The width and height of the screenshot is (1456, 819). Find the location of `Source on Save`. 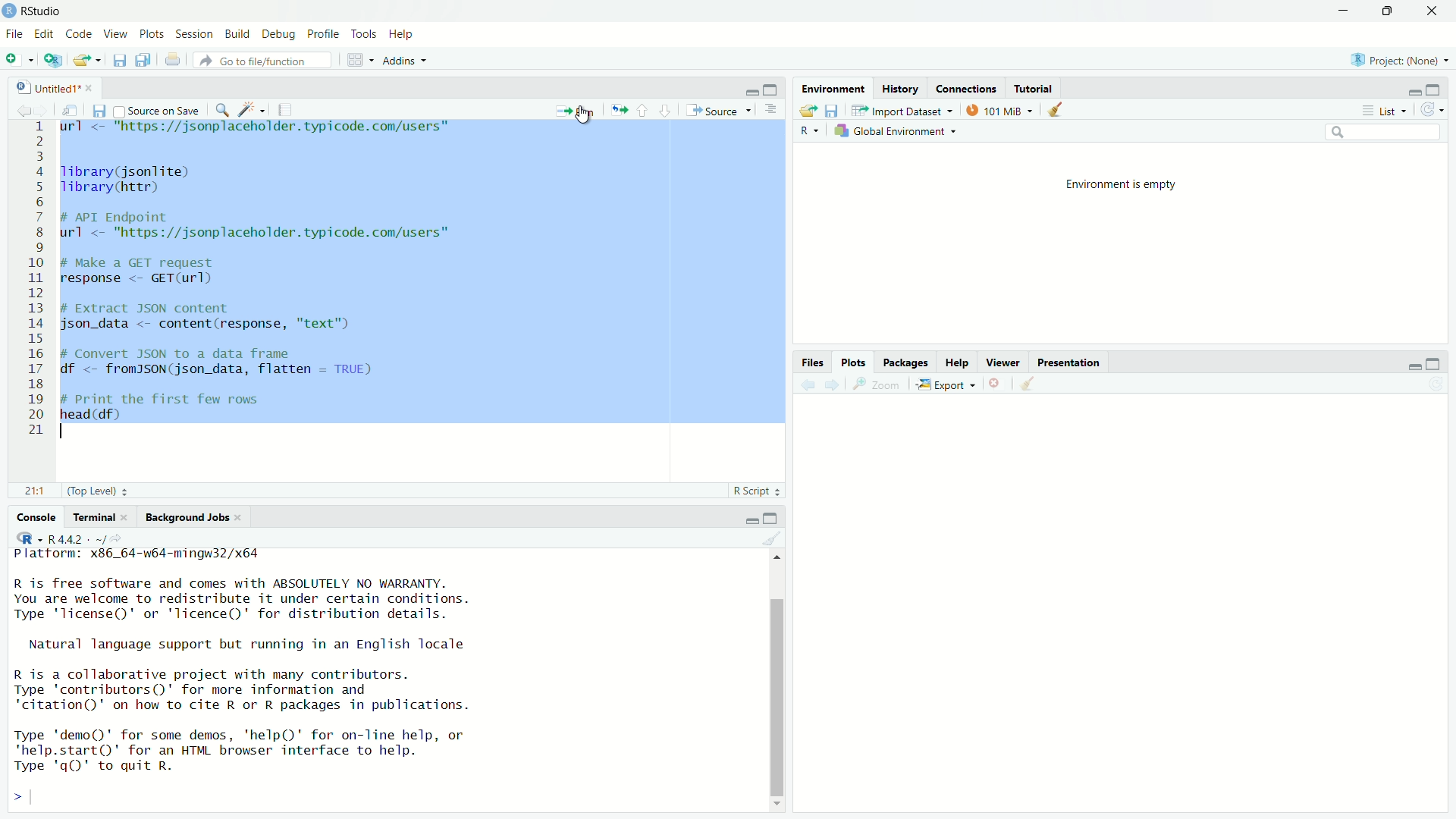

Source on Save is located at coordinates (157, 111).